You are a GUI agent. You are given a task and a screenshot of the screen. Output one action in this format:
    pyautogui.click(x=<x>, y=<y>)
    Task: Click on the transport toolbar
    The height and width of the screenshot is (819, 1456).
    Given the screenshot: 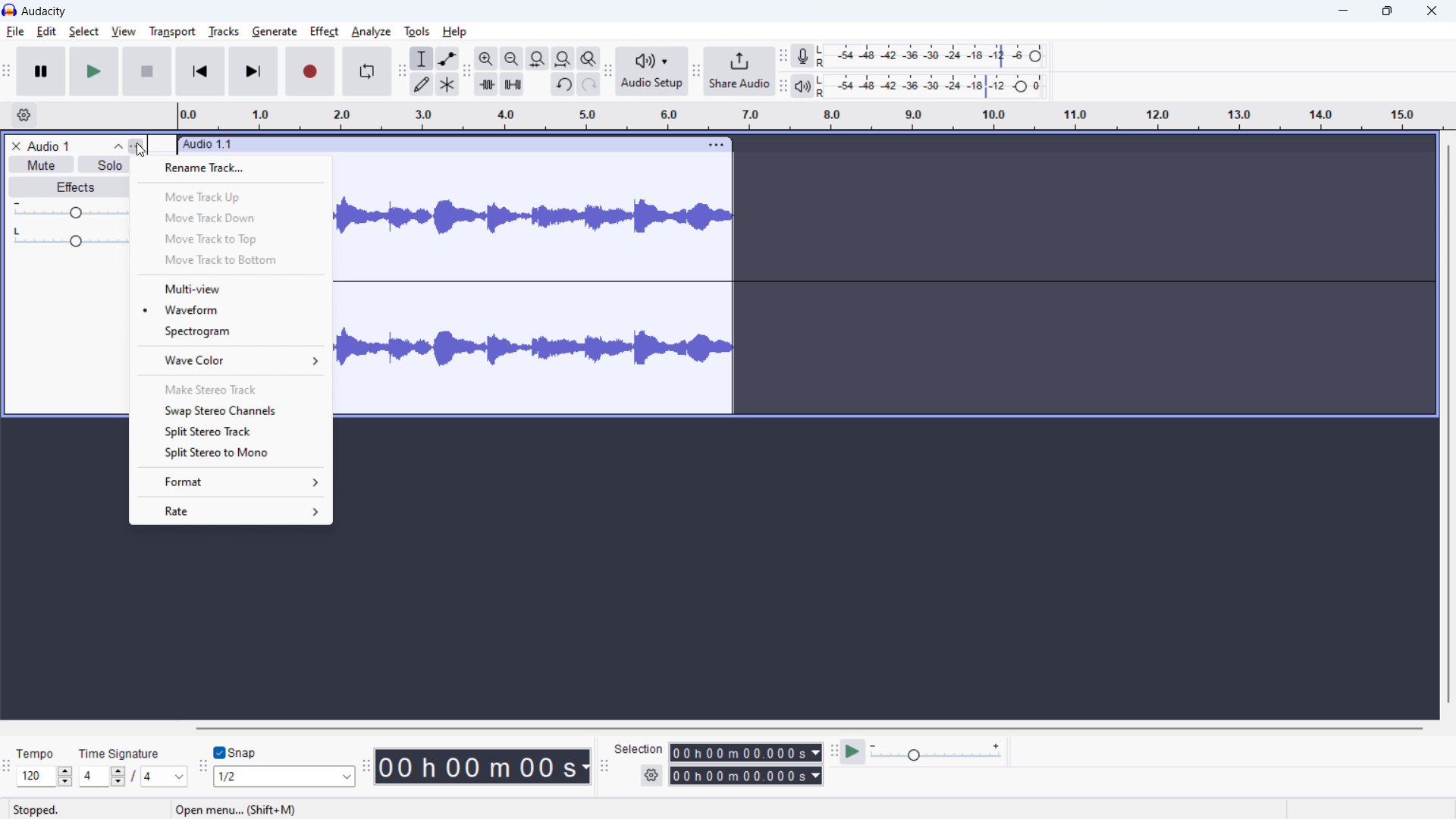 What is the action you would take?
    pyautogui.click(x=6, y=72)
    